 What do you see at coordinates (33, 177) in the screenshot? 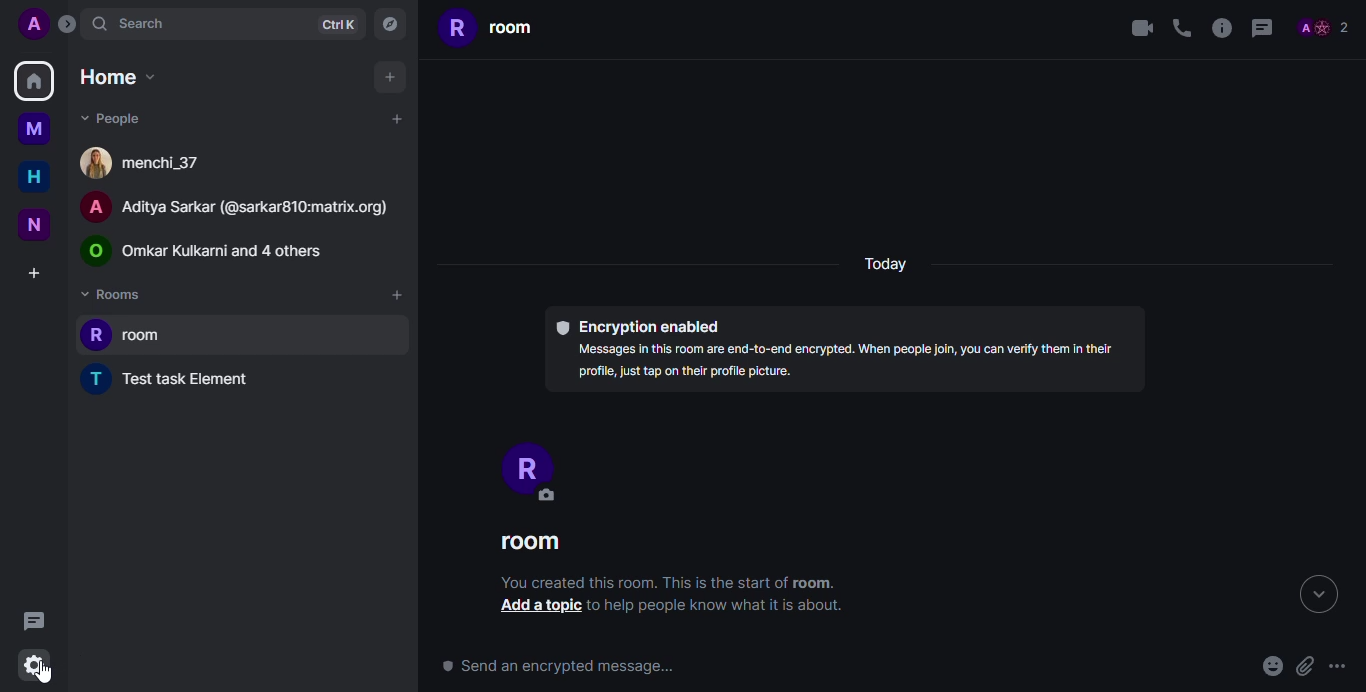
I see `home` at bounding box center [33, 177].